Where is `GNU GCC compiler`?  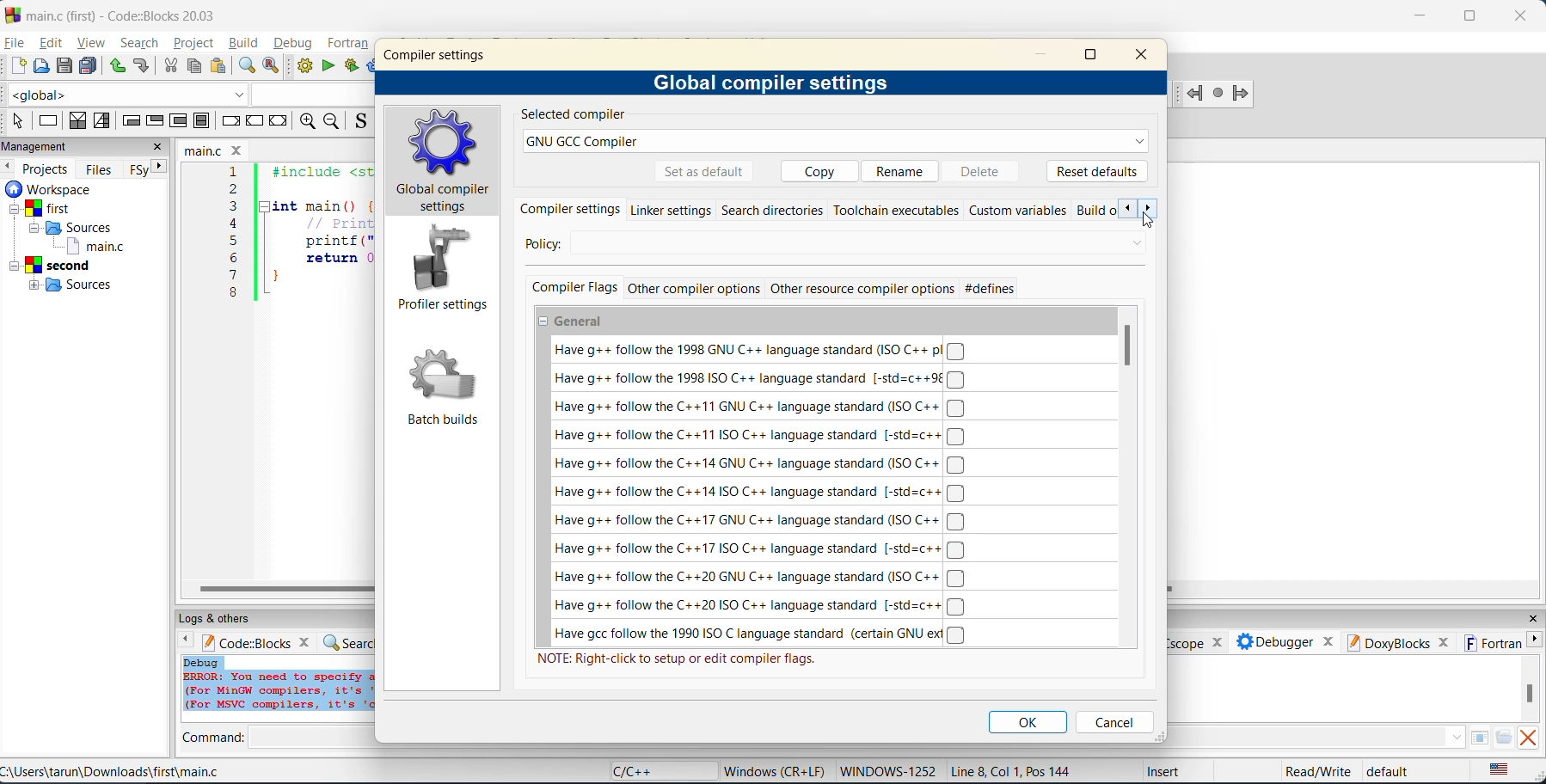
GNU GCC compiler is located at coordinates (837, 142).